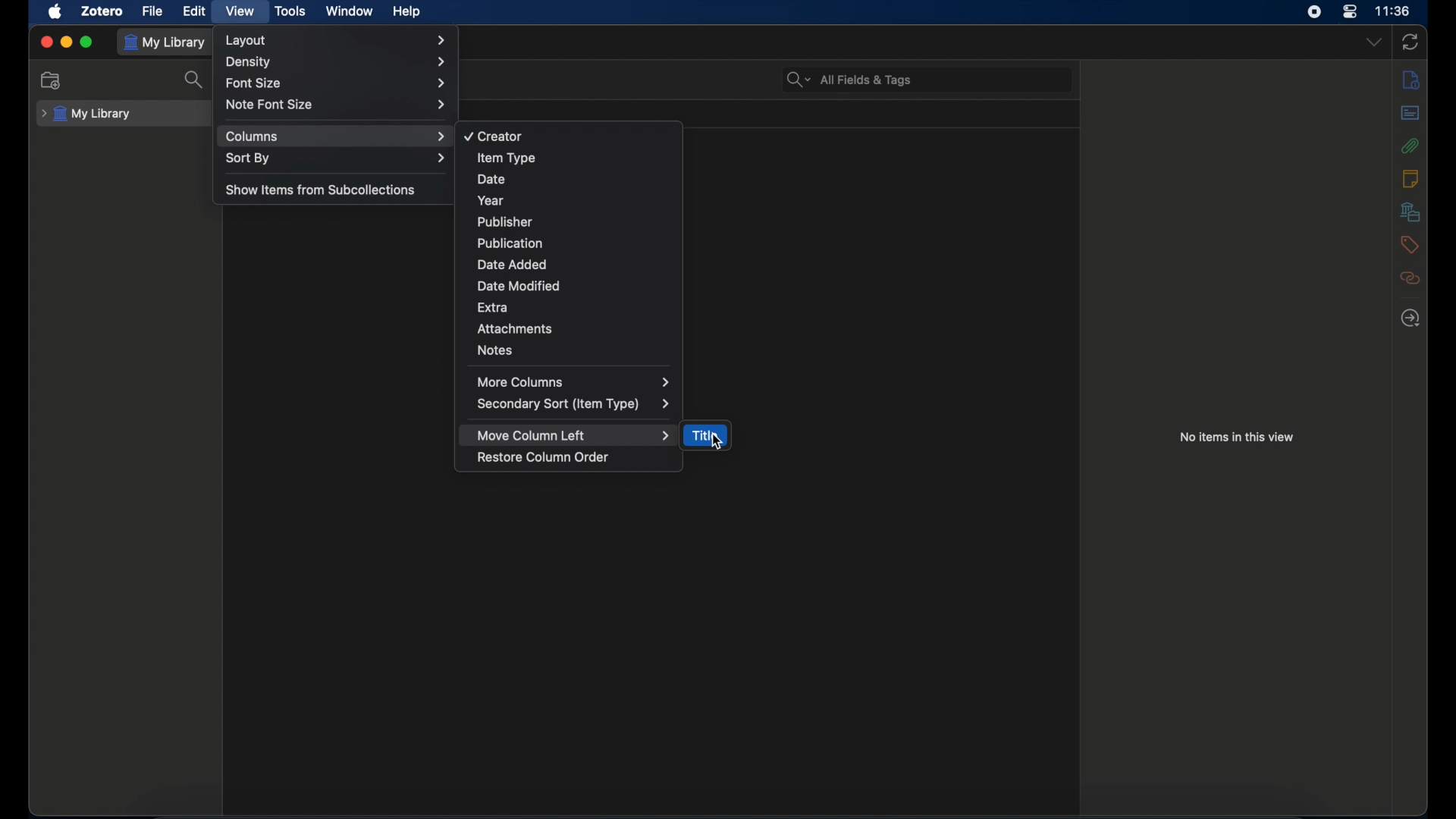  Describe the element at coordinates (46, 42) in the screenshot. I see `close` at that location.